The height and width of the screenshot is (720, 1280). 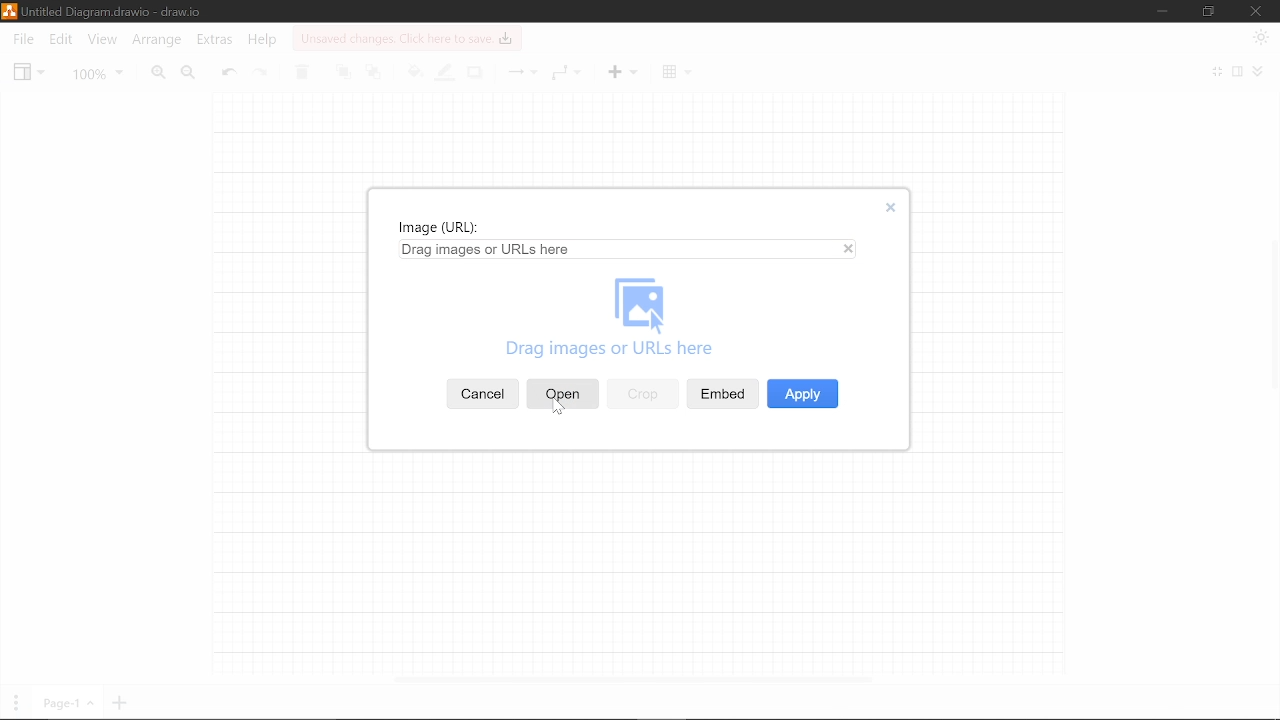 I want to click on Embed, so click(x=722, y=392).